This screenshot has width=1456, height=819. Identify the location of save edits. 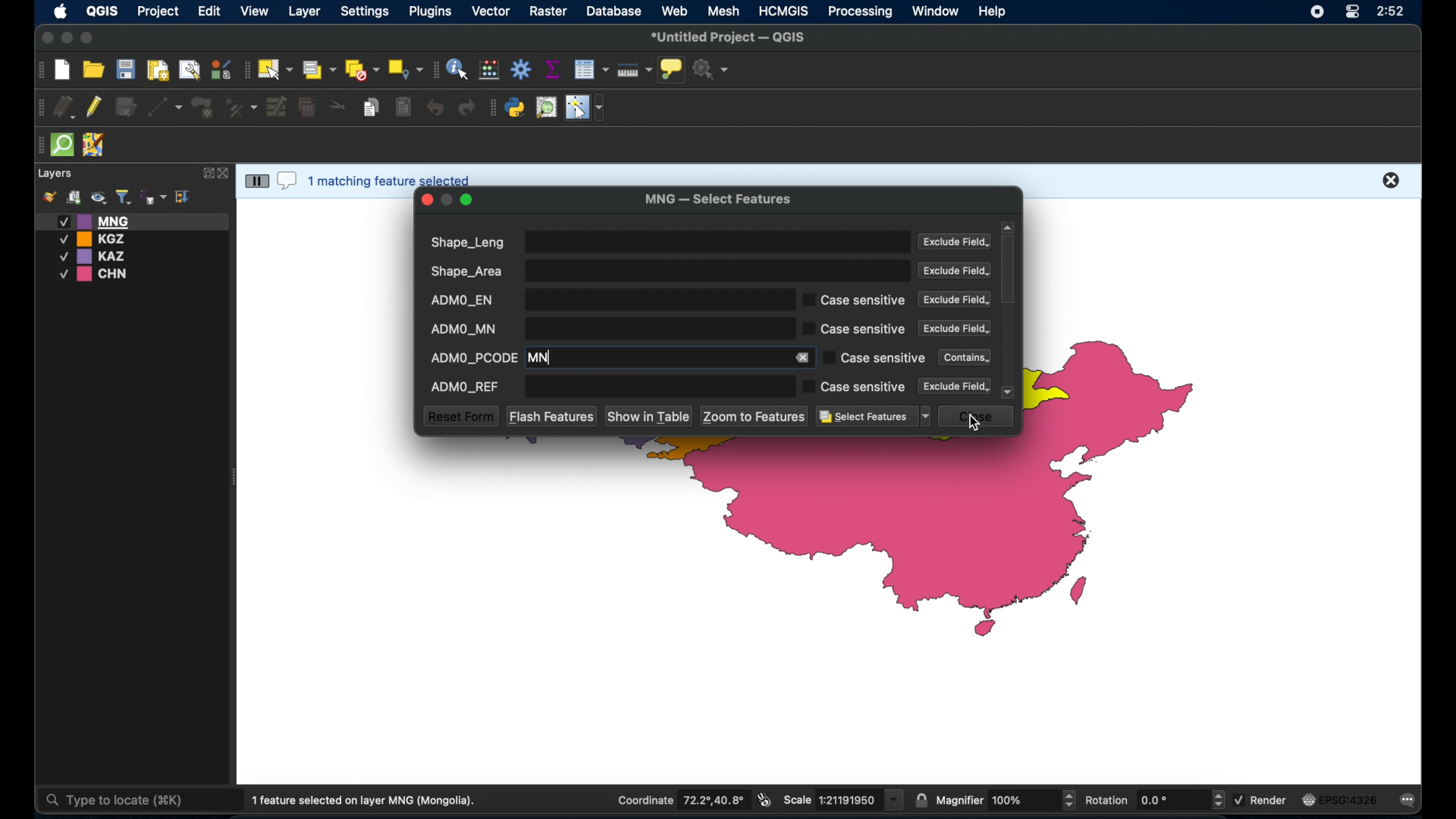
(128, 108).